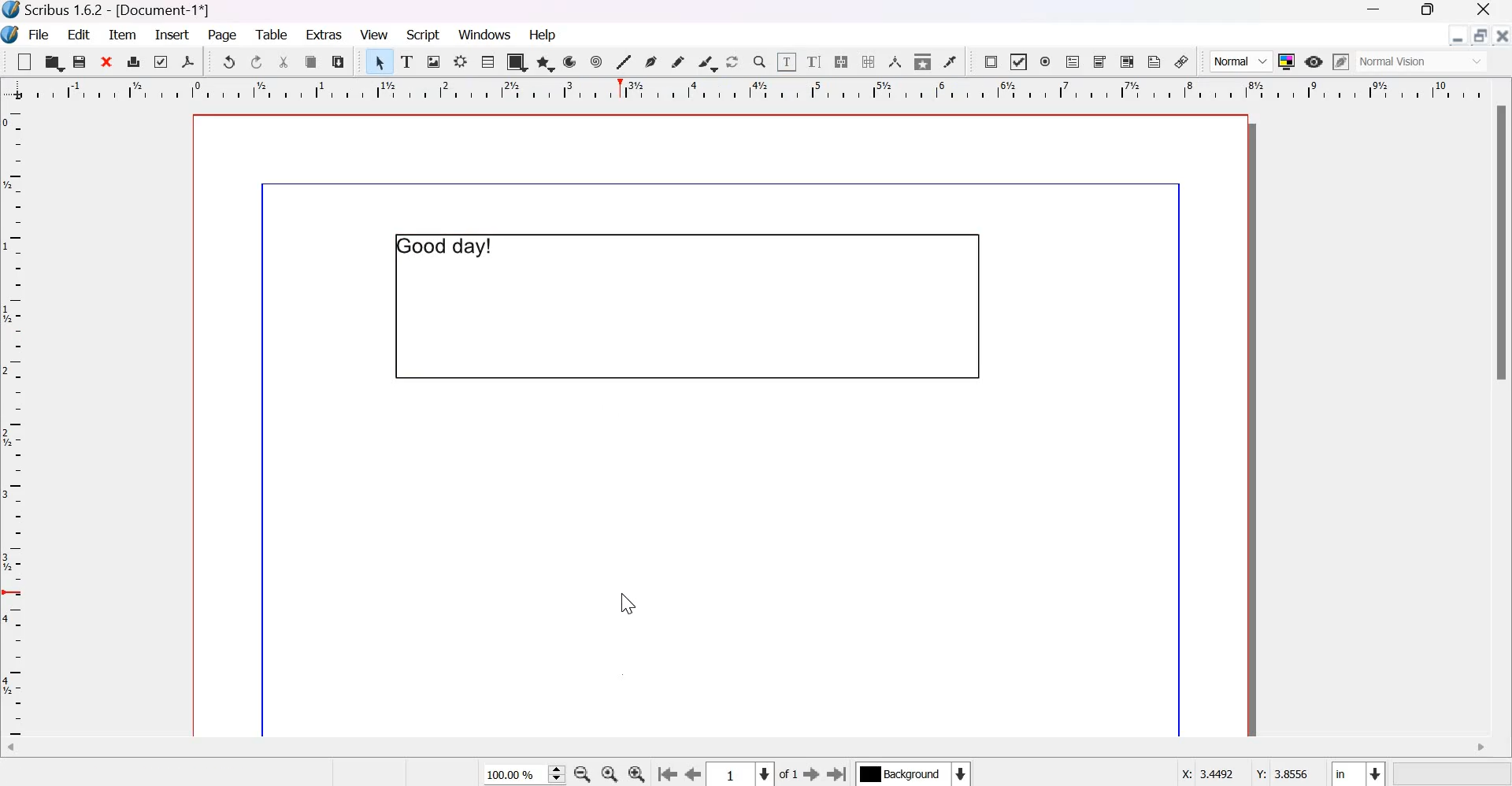  What do you see at coordinates (838, 773) in the screenshot?
I see `Go to the last page` at bounding box center [838, 773].